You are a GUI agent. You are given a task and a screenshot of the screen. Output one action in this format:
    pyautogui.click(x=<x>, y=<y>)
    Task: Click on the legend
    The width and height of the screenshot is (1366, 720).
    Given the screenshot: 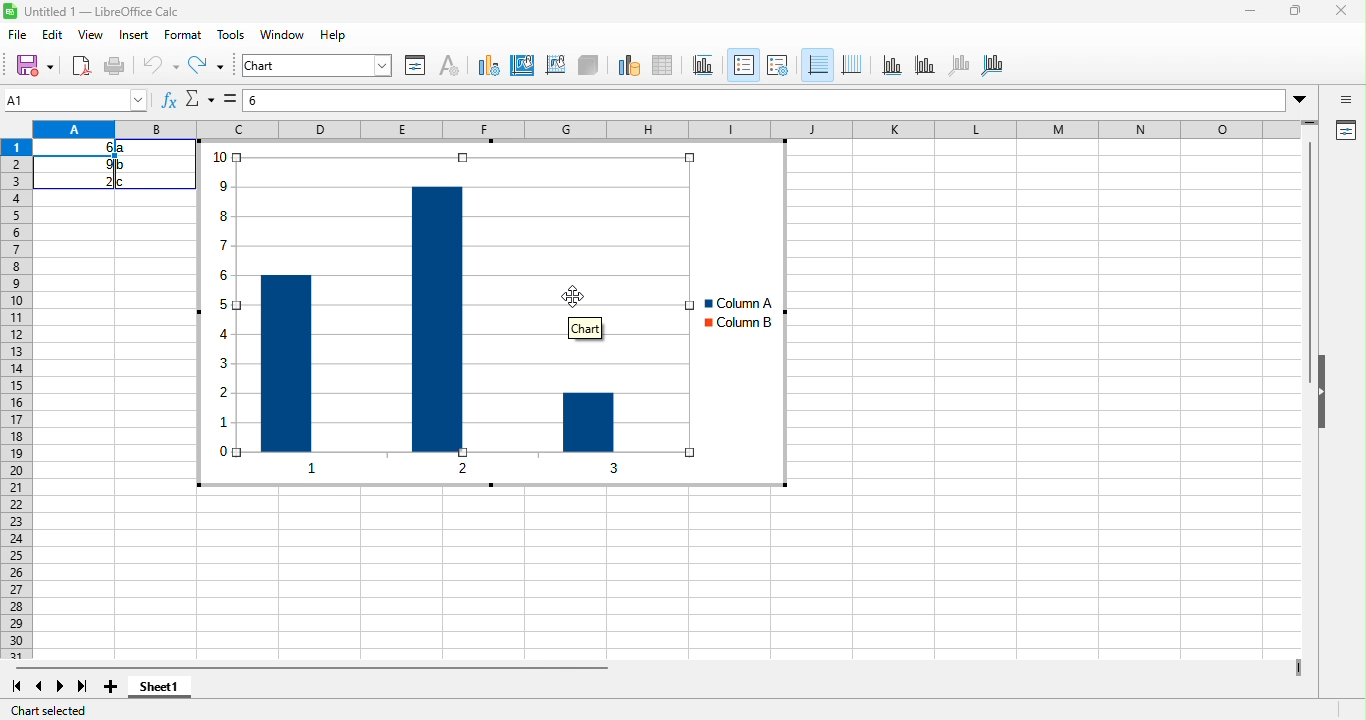 What is the action you would take?
    pyautogui.click(x=743, y=64)
    